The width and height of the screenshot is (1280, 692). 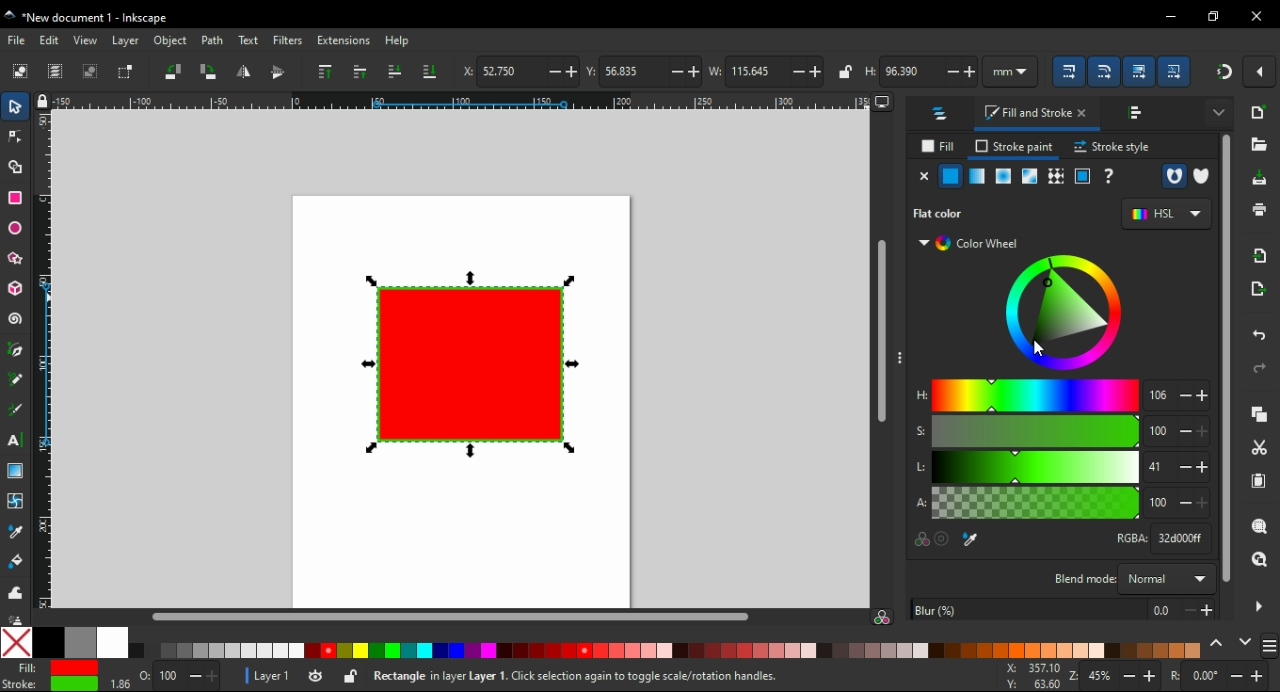 What do you see at coordinates (1103, 70) in the screenshot?
I see `scaling options` at bounding box center [1103, 70].